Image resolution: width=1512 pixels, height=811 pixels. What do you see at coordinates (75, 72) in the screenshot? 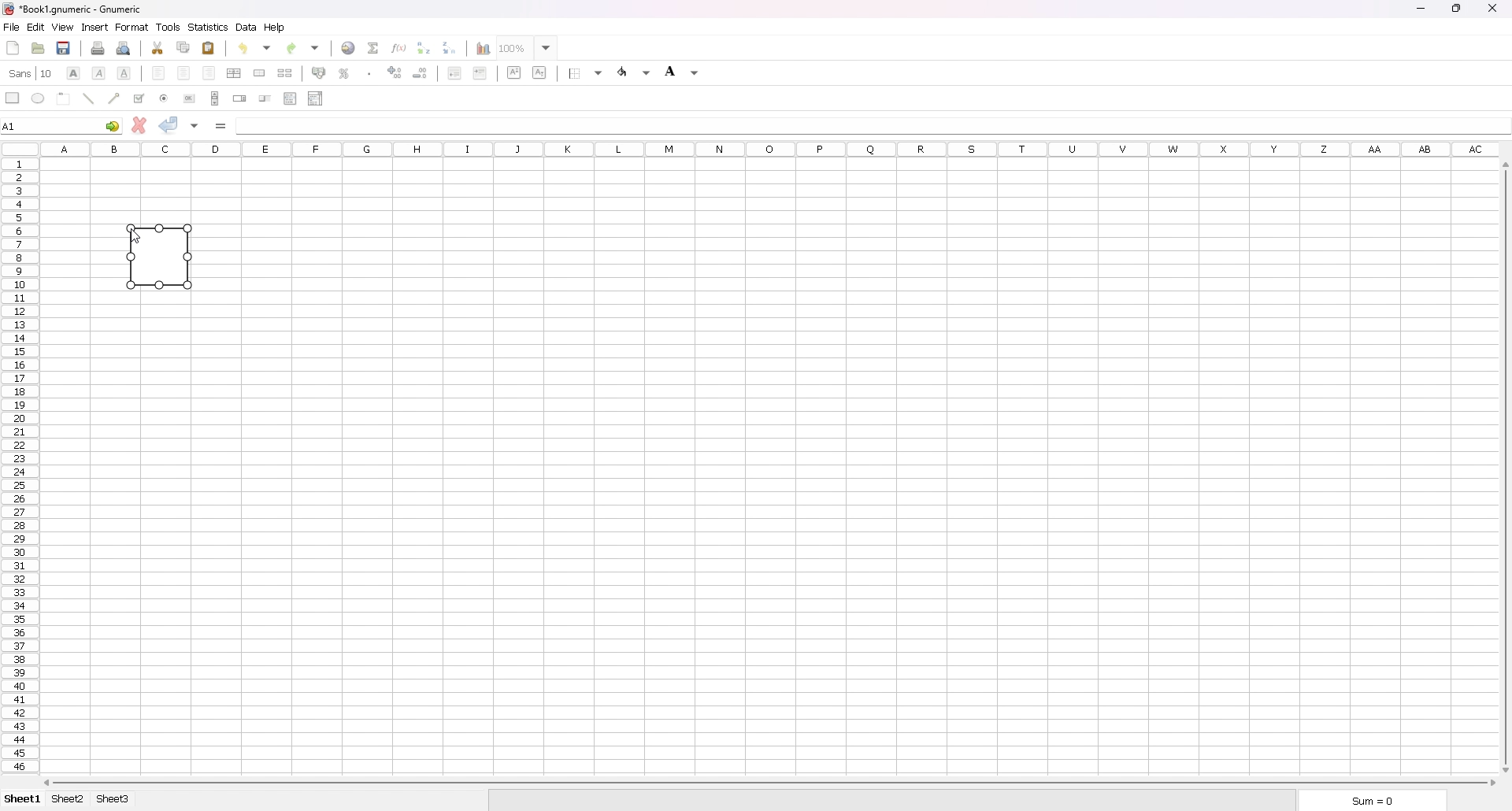
I see `bold` at bounding box center [75, 72].